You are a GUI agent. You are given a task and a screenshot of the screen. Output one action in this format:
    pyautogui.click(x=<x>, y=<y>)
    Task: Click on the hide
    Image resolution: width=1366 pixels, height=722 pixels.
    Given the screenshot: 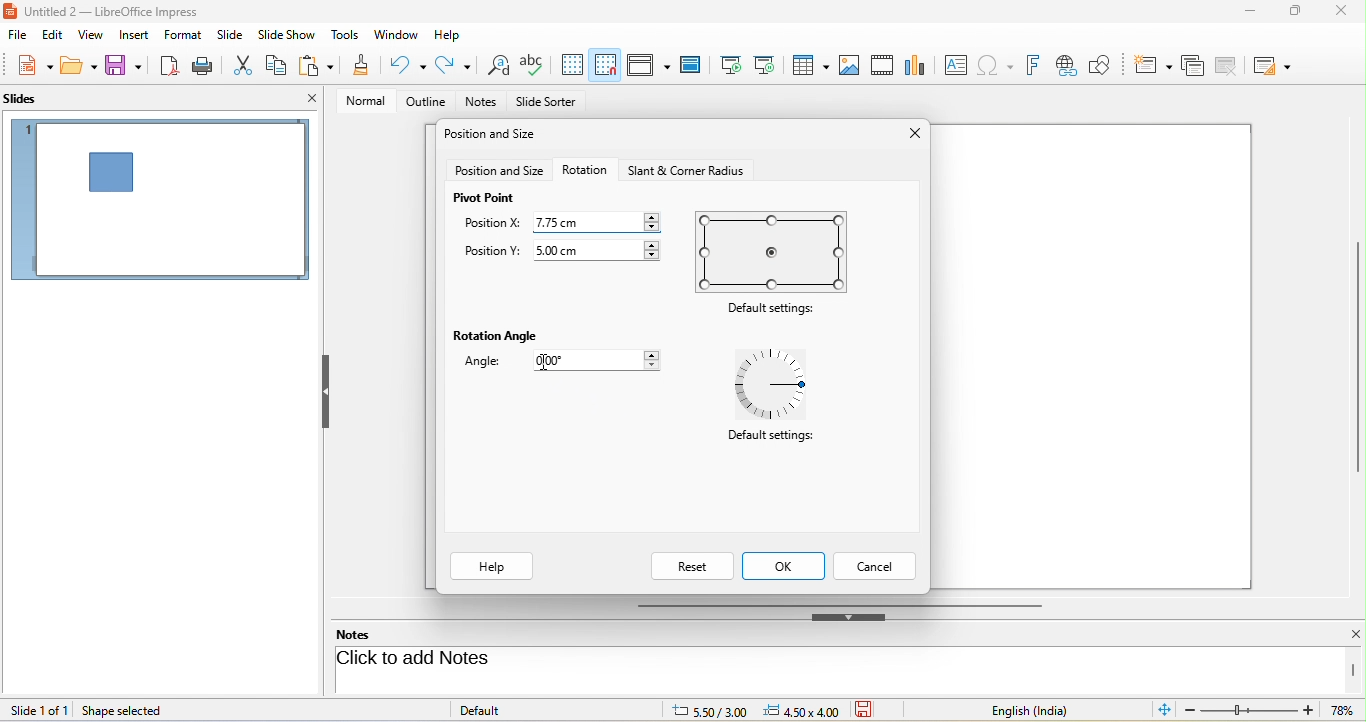 What is the action you would take?
    pyautogui.click(x=325, y=392)
    